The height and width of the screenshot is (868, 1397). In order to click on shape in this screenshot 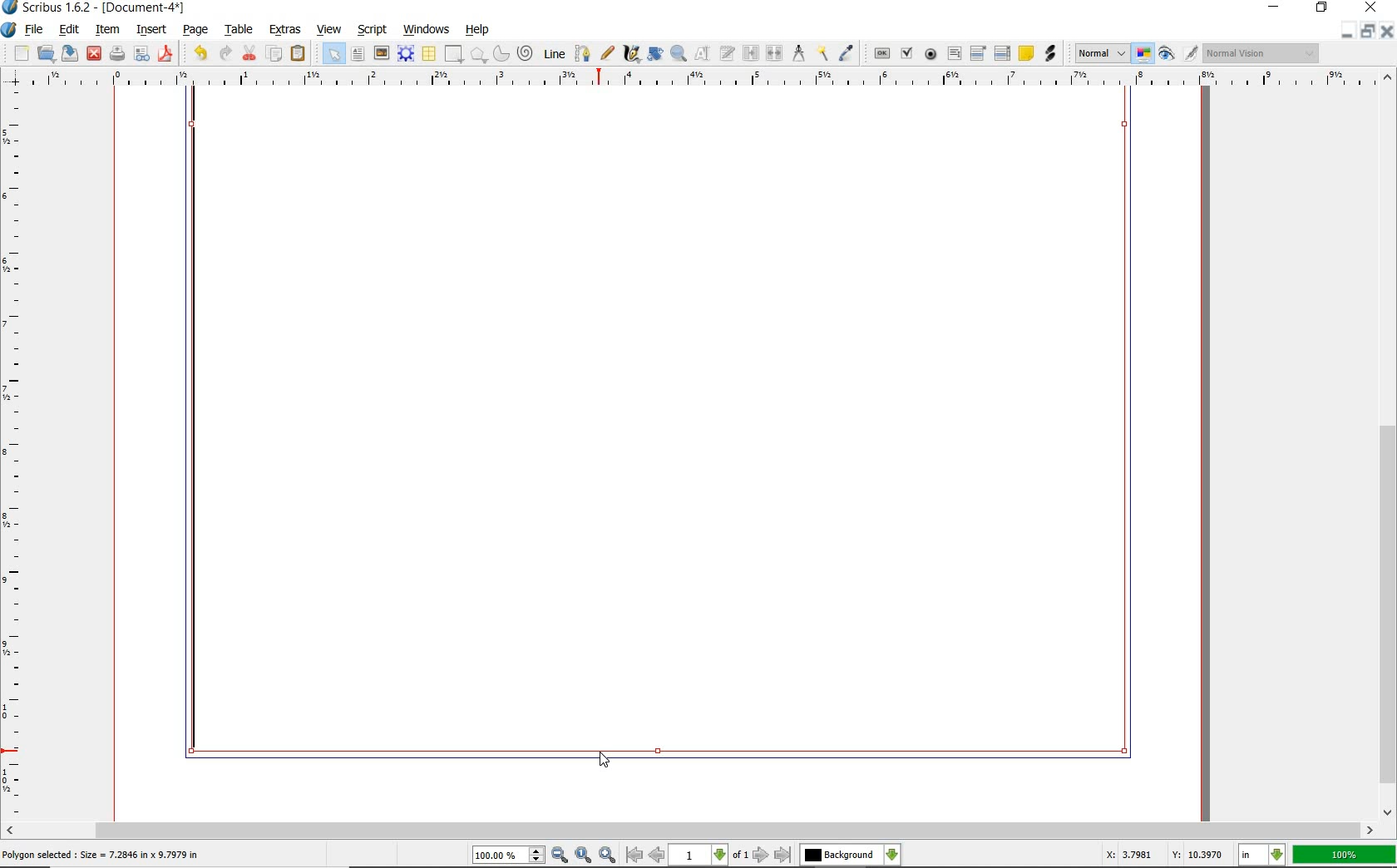, I will do `click(454, 55)`.